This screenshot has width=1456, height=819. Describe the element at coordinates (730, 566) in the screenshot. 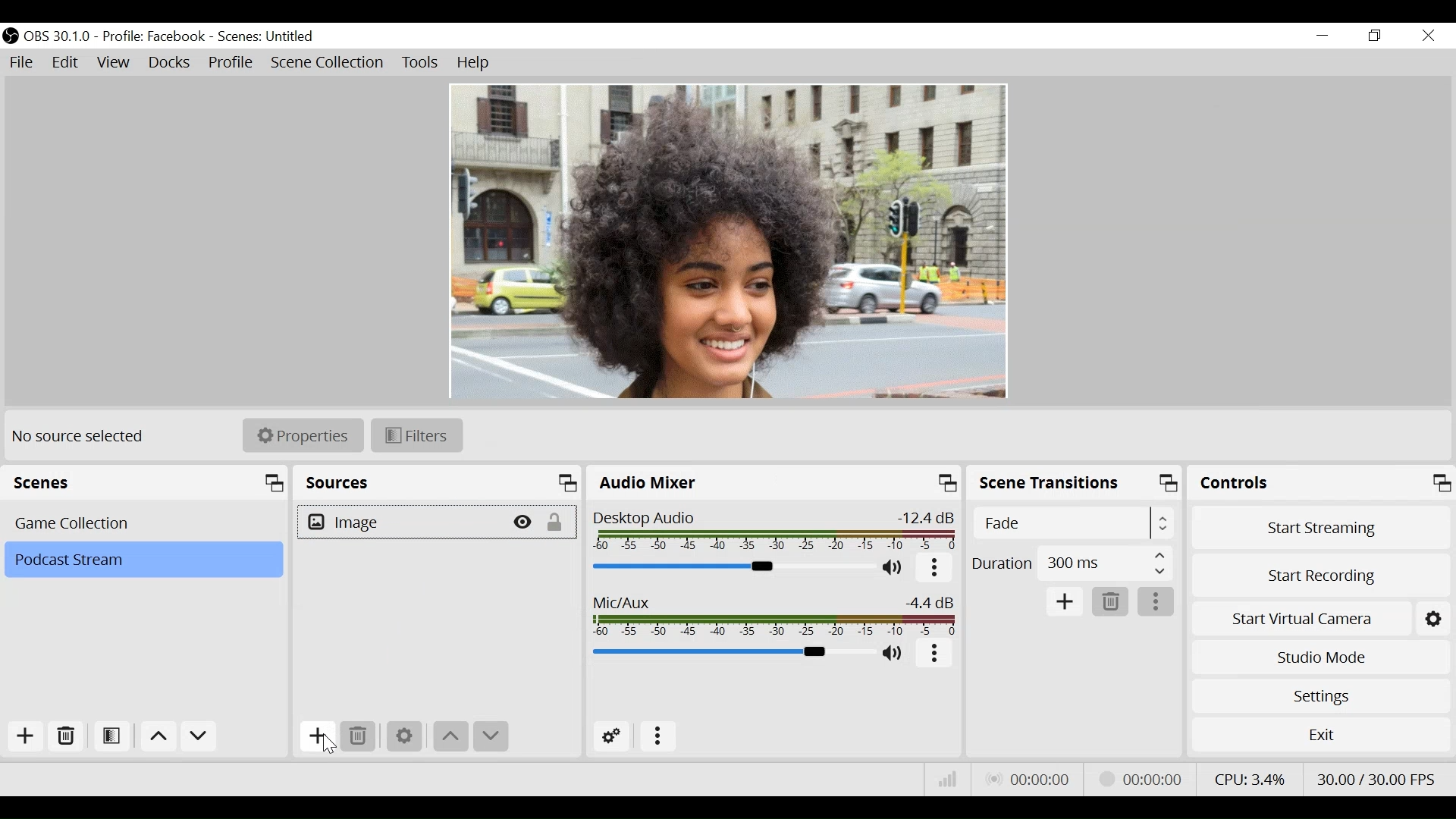

I see `Desktop Audio Slider` at that location.